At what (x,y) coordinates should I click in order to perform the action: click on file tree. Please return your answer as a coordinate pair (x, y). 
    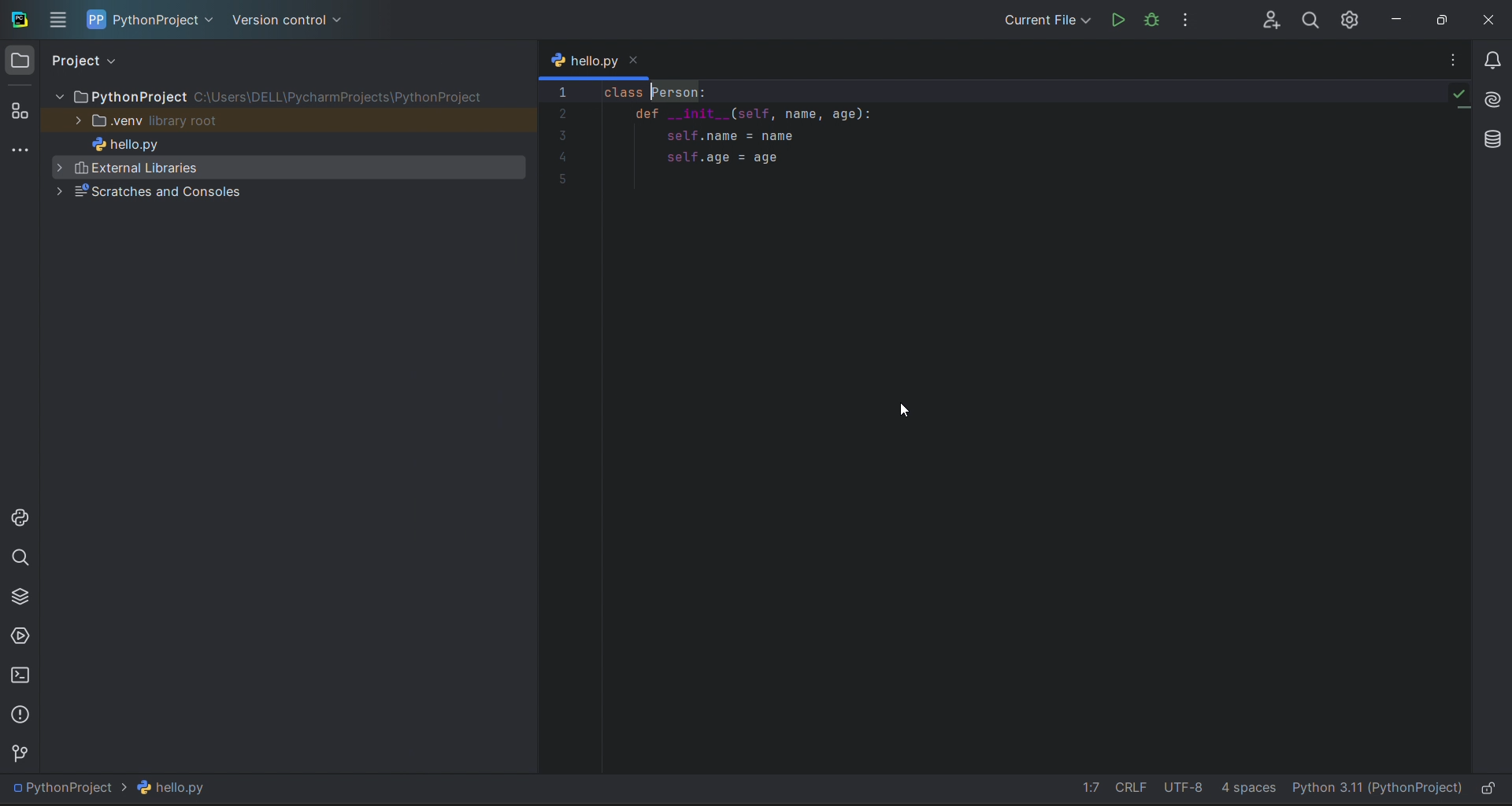
    Looking at the image, I should click on (288, 94).